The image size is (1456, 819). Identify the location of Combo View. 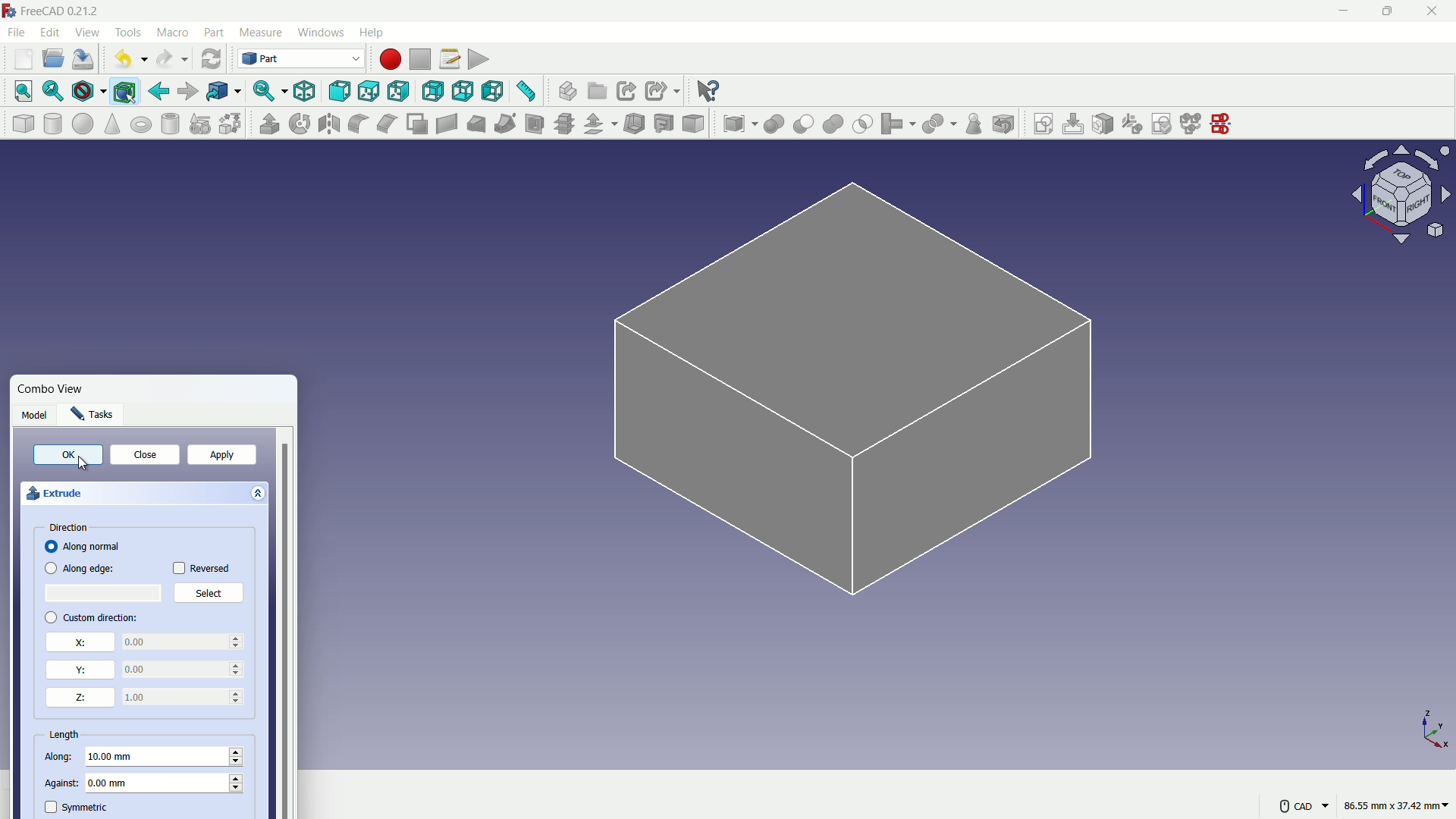
(52, 388).